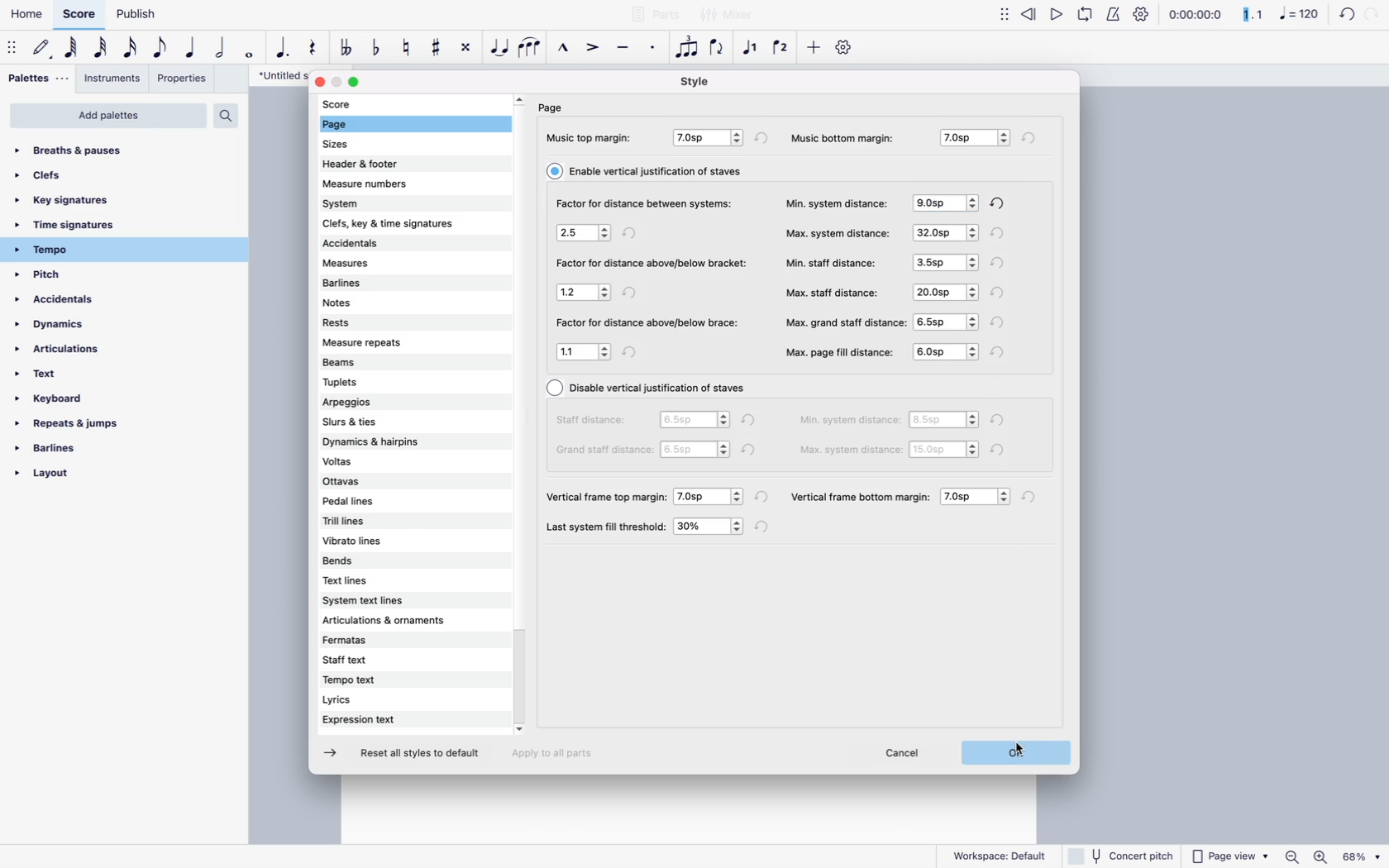  What do you see at coordinates (632, 292) in the screenshot?
I see `refresh` at bounding box center [632, 292].